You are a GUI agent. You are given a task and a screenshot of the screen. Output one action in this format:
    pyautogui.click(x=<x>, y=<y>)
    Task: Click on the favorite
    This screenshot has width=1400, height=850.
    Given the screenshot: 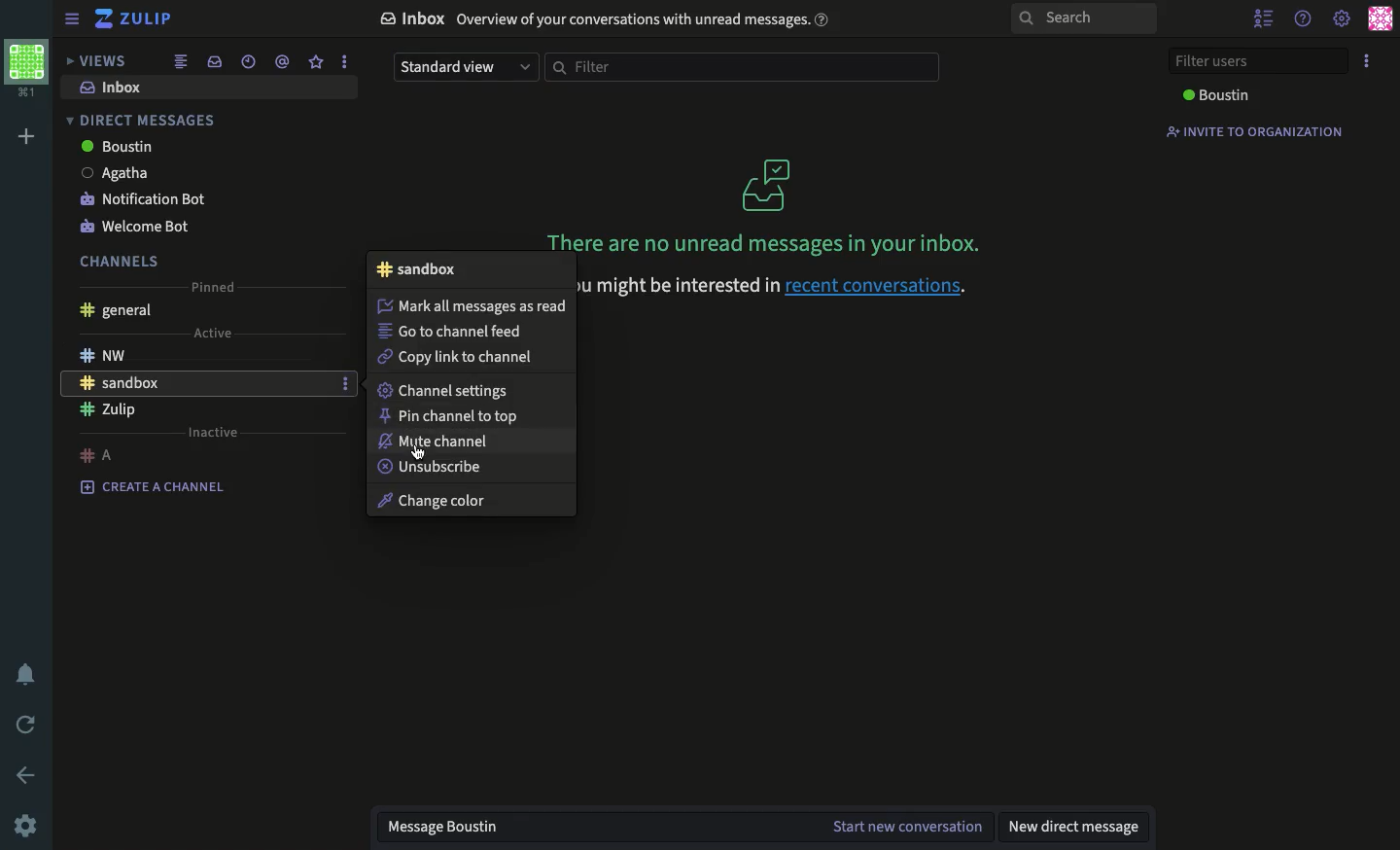 What is the action you would take?
    pyautogui.click(x=316, y=62)
    